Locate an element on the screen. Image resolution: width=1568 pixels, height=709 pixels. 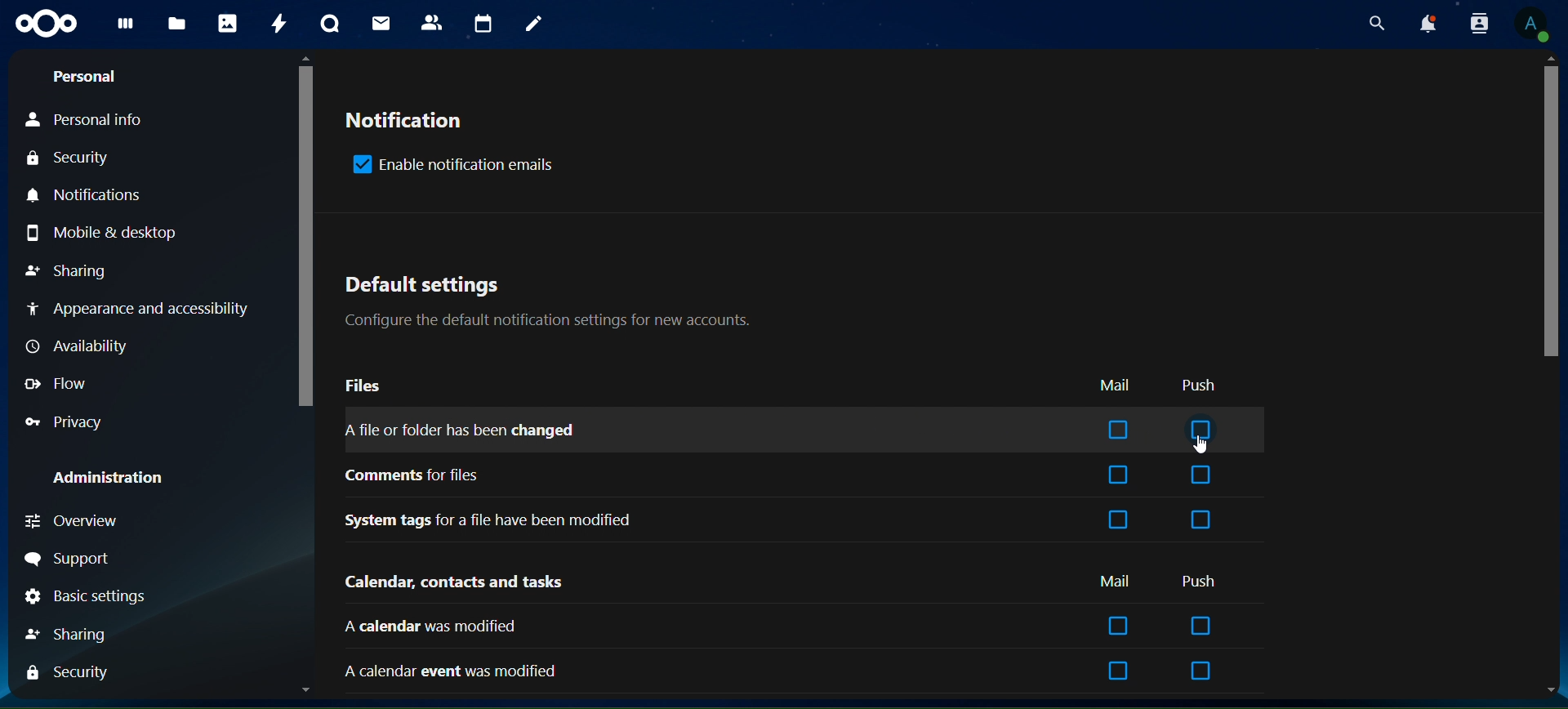
activity is located at coordinates (276, 24).